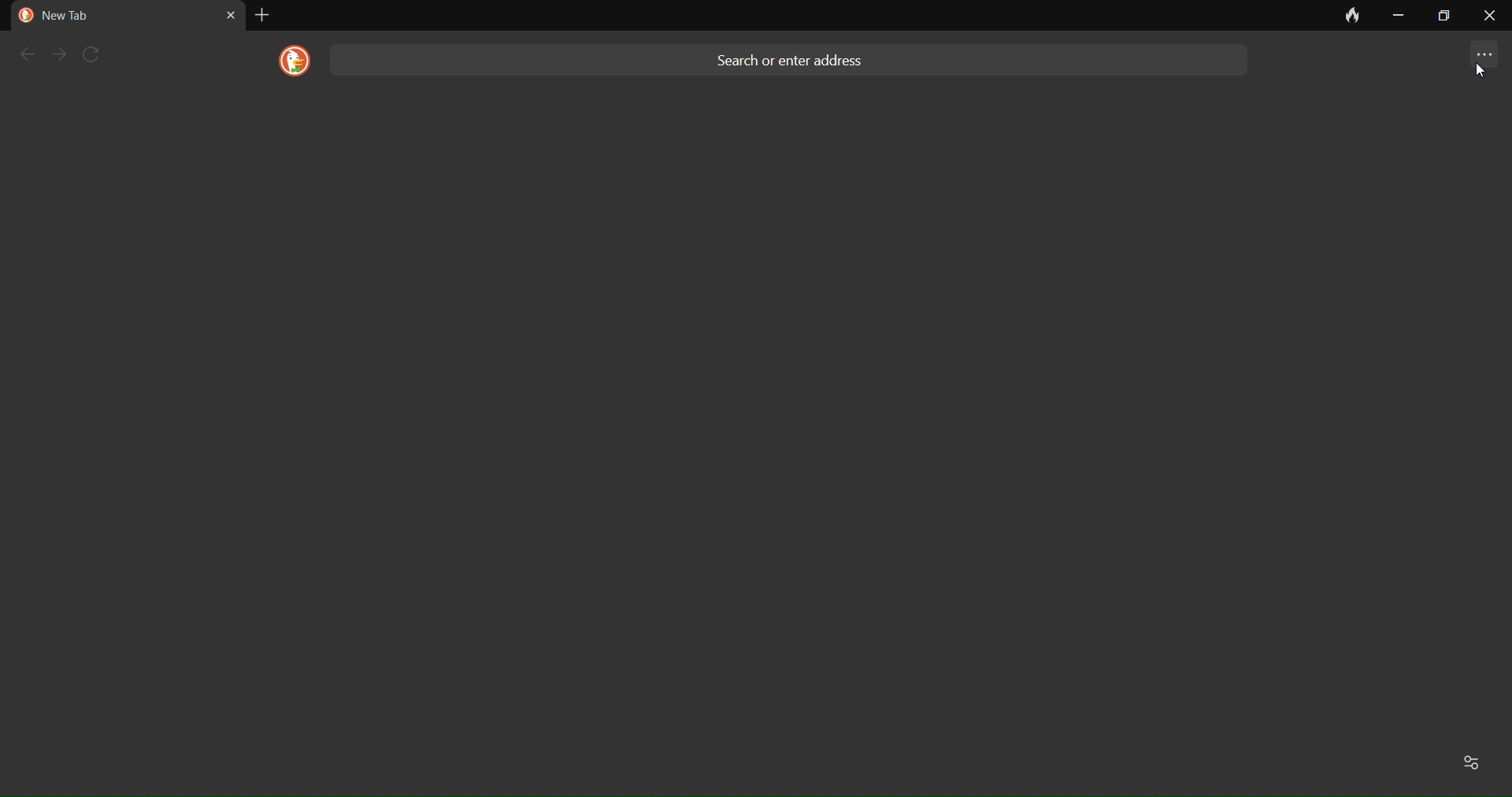 The width and height of the screenshot is (1512, 797). Describe the element at coordinates (1397, 16) in the screenshot. I see `minimize` at that location.